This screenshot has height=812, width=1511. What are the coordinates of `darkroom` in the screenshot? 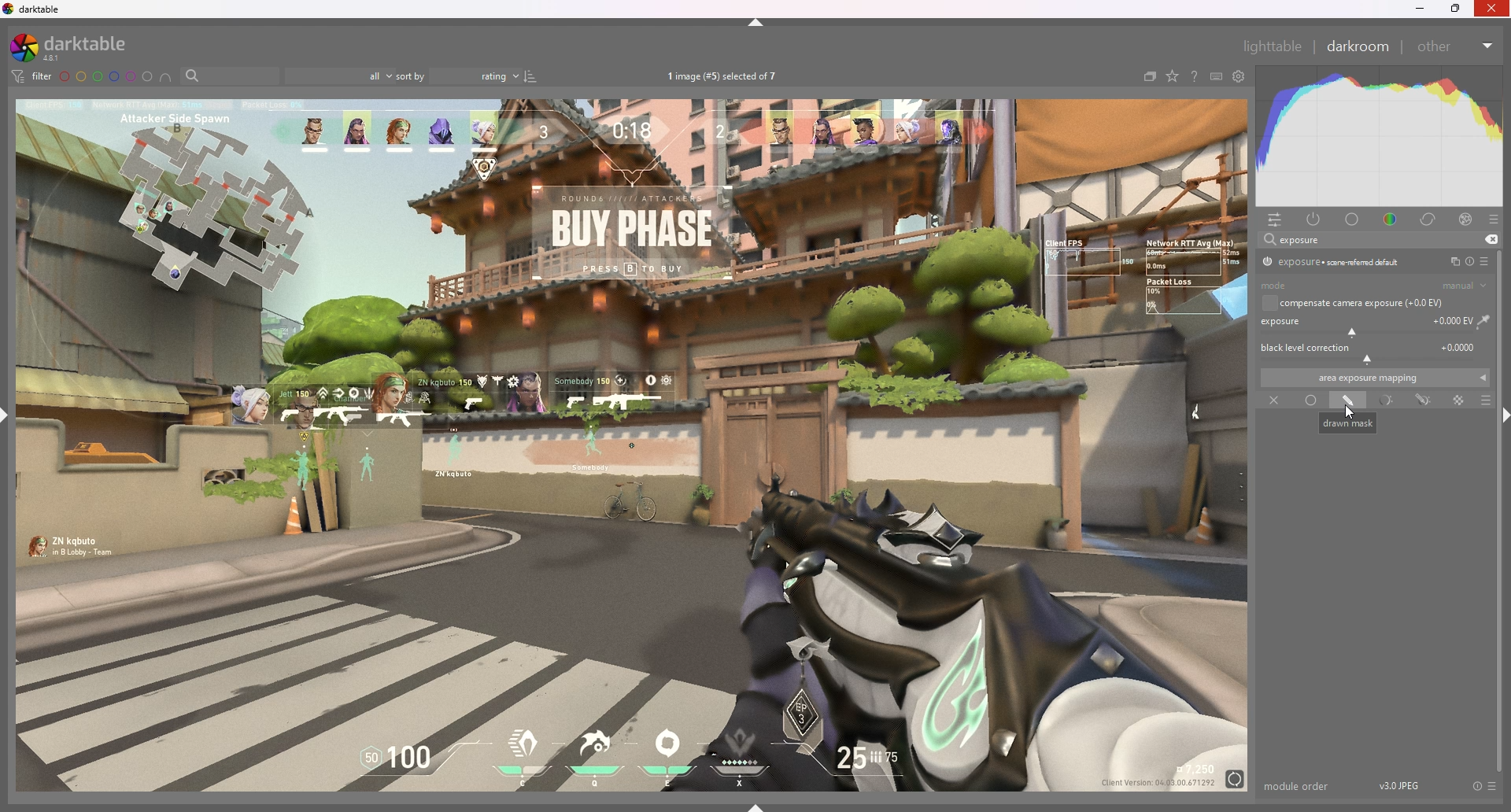 It's located at (1357, 46).